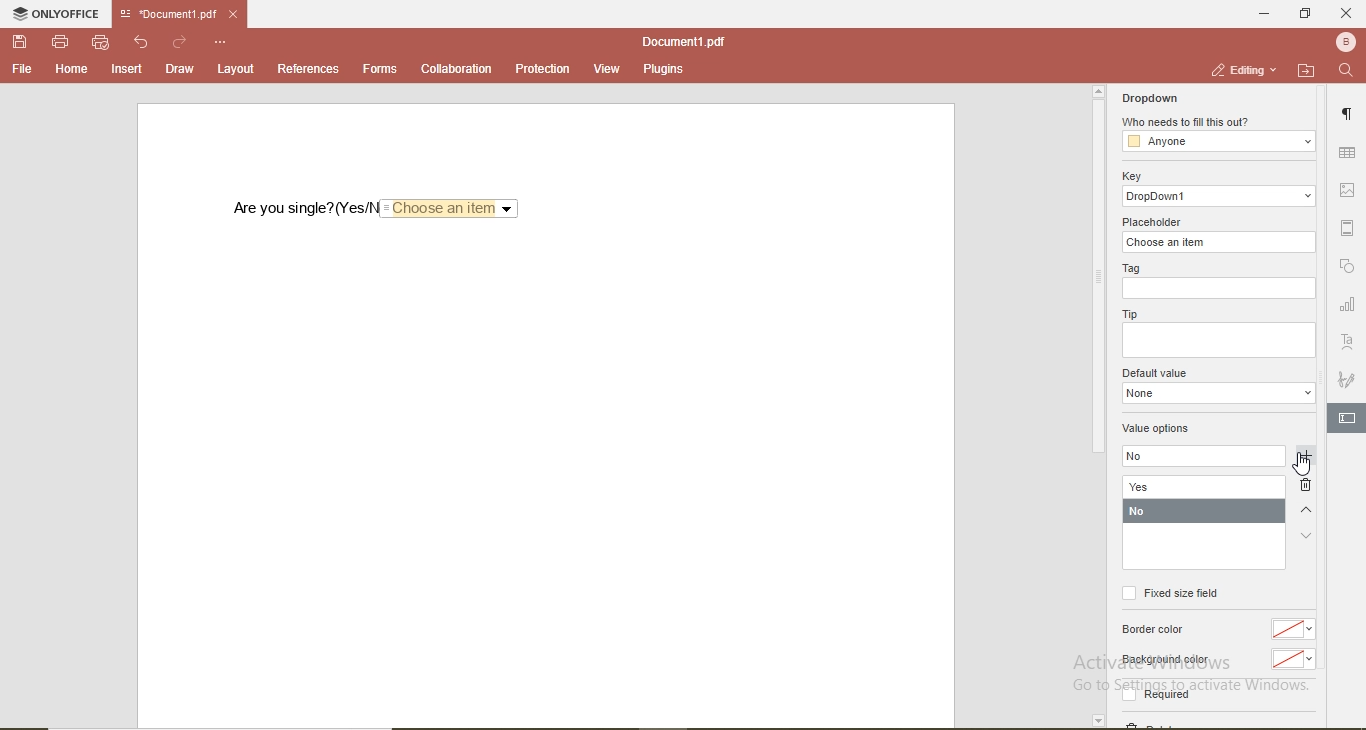 Image resolution: width=1366 pixels, height=730 pixels. What do you see at coordinates (1129, 313) in the screenshot?
I see `tip` at bounding box center [1129, 313].